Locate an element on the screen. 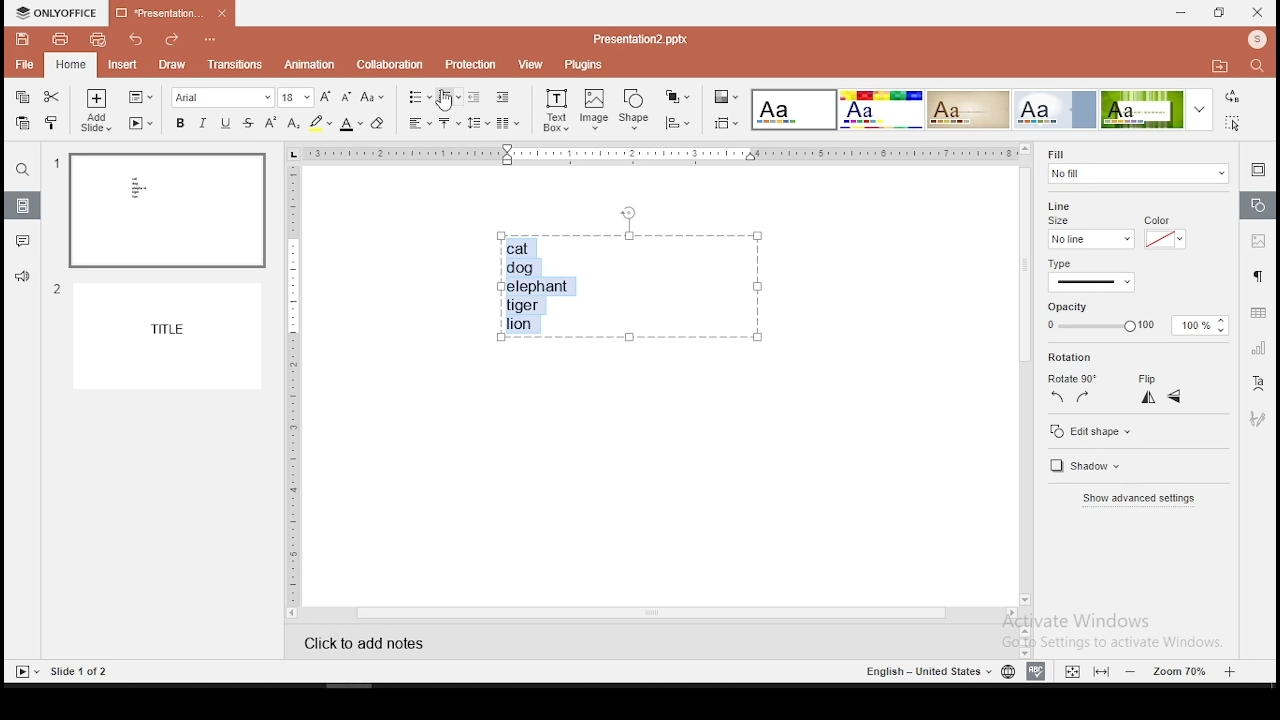  font color is located at coordinates (350, 123).